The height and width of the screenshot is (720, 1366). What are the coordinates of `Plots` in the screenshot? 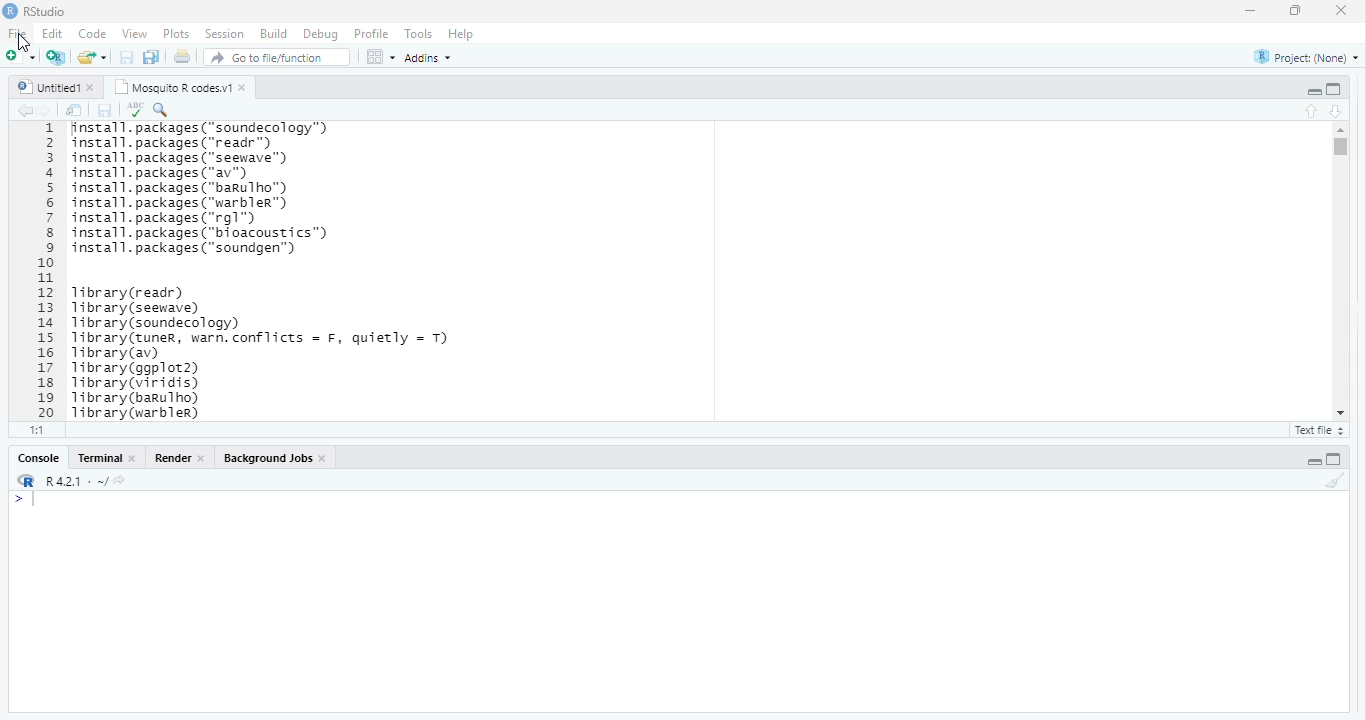 It's located at (178, 35).